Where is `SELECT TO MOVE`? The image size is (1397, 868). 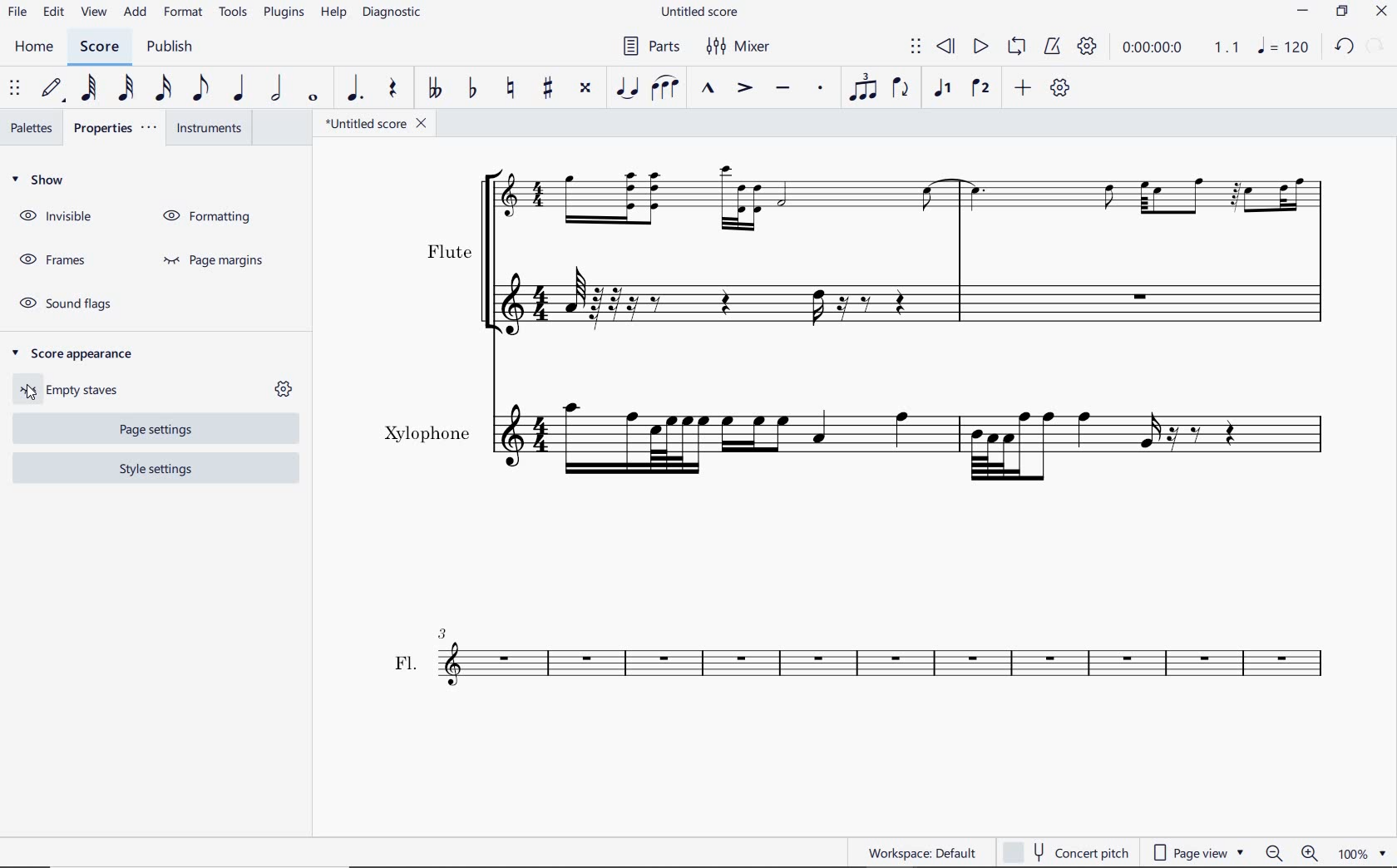
SELECT TO MOVE is located at coordinates (15, 90).